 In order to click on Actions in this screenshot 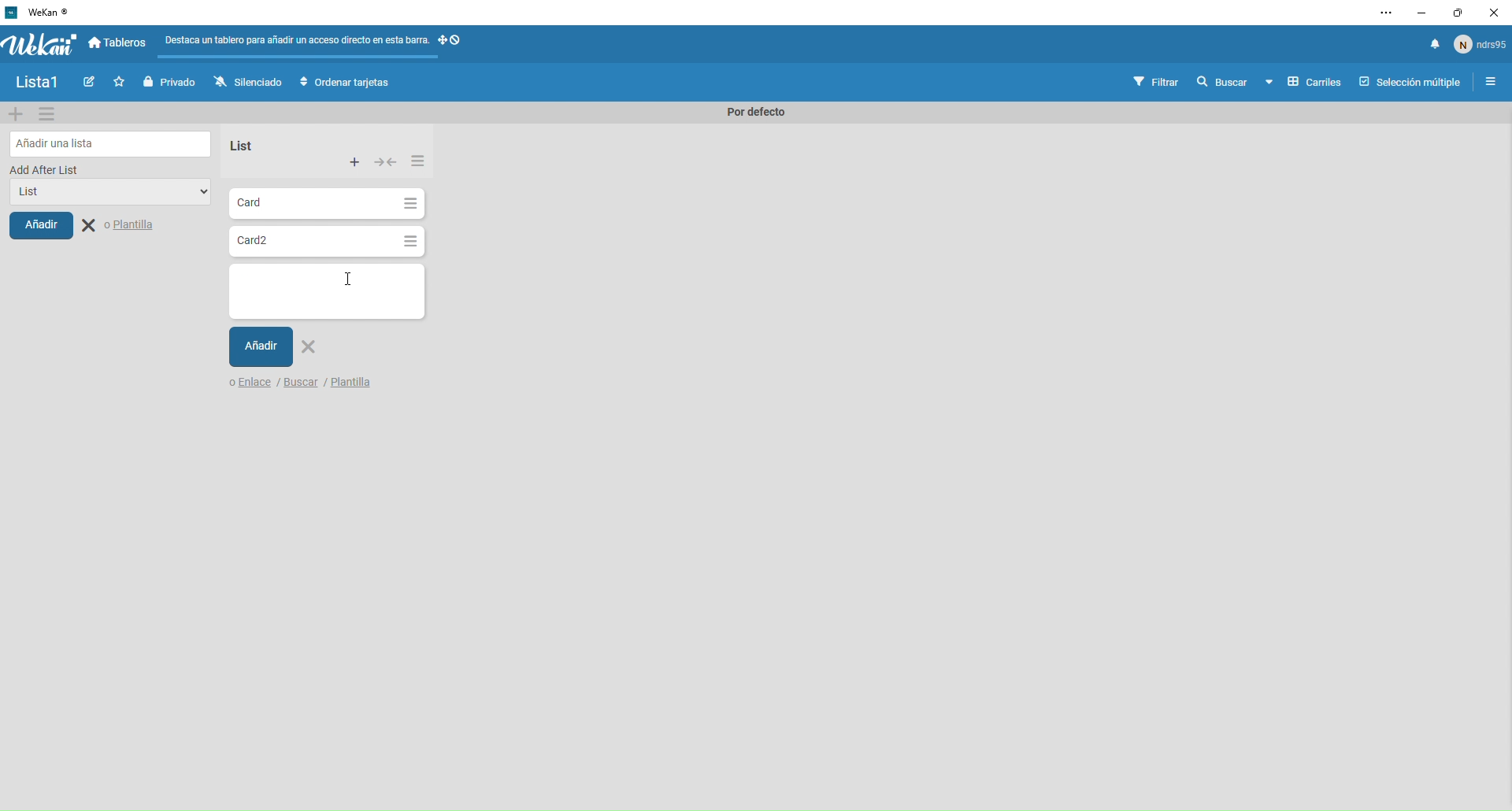, I will do `click(387, 164)`.